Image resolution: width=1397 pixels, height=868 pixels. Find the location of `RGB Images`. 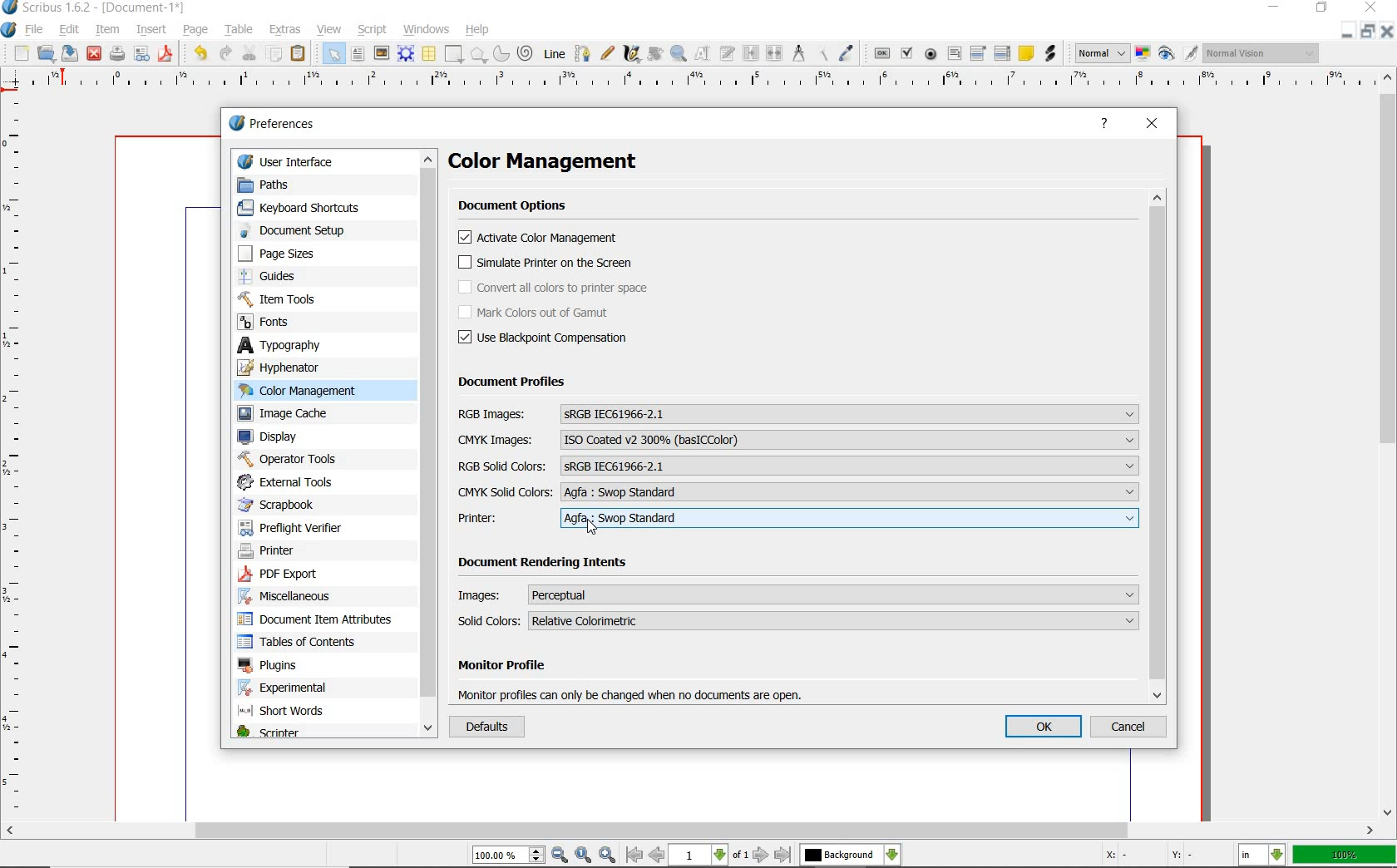

RGB Images is located at coordinates (797, 414).